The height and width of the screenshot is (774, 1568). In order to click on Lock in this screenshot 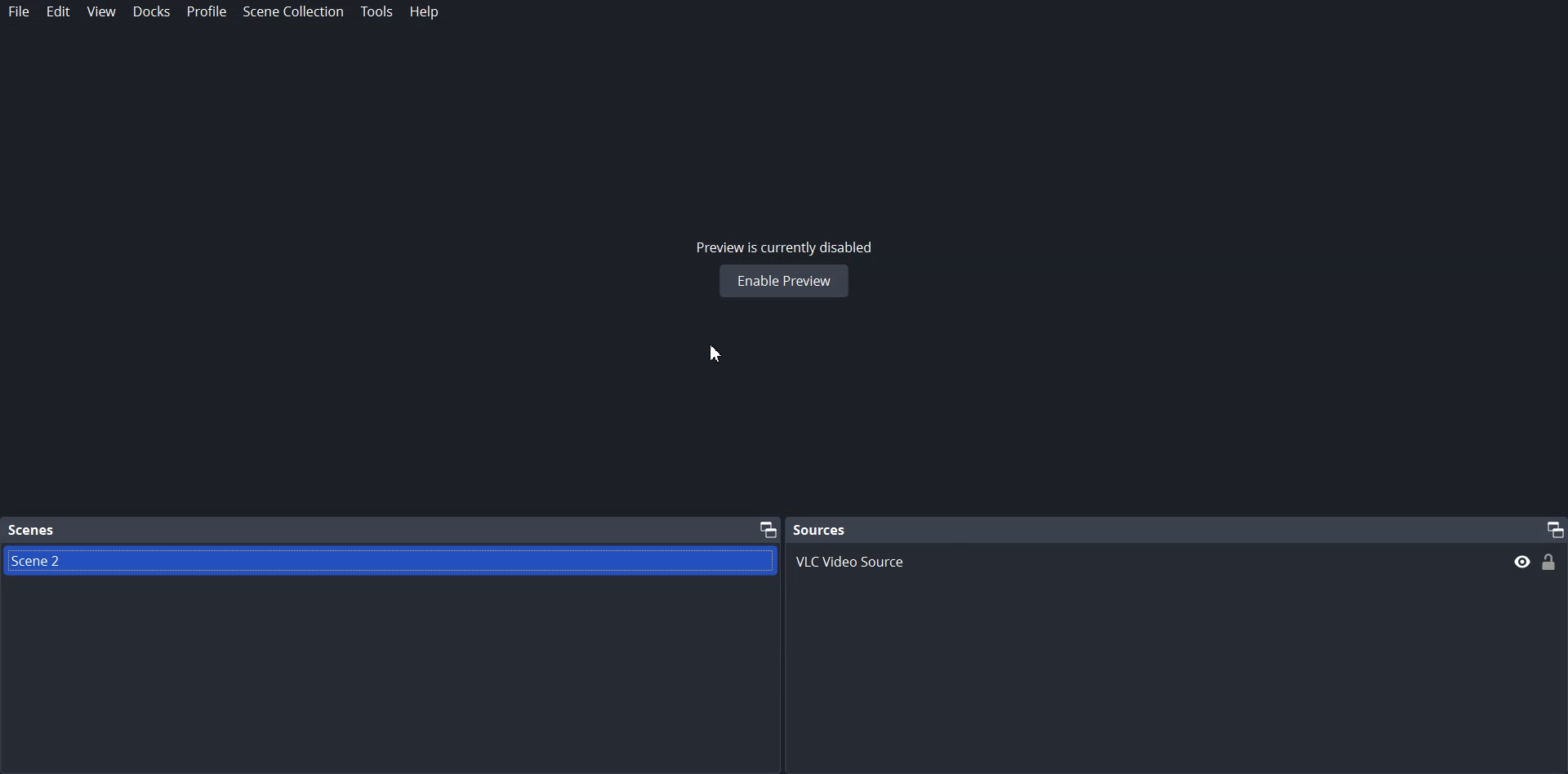, I will do `click(1550, 562)`.